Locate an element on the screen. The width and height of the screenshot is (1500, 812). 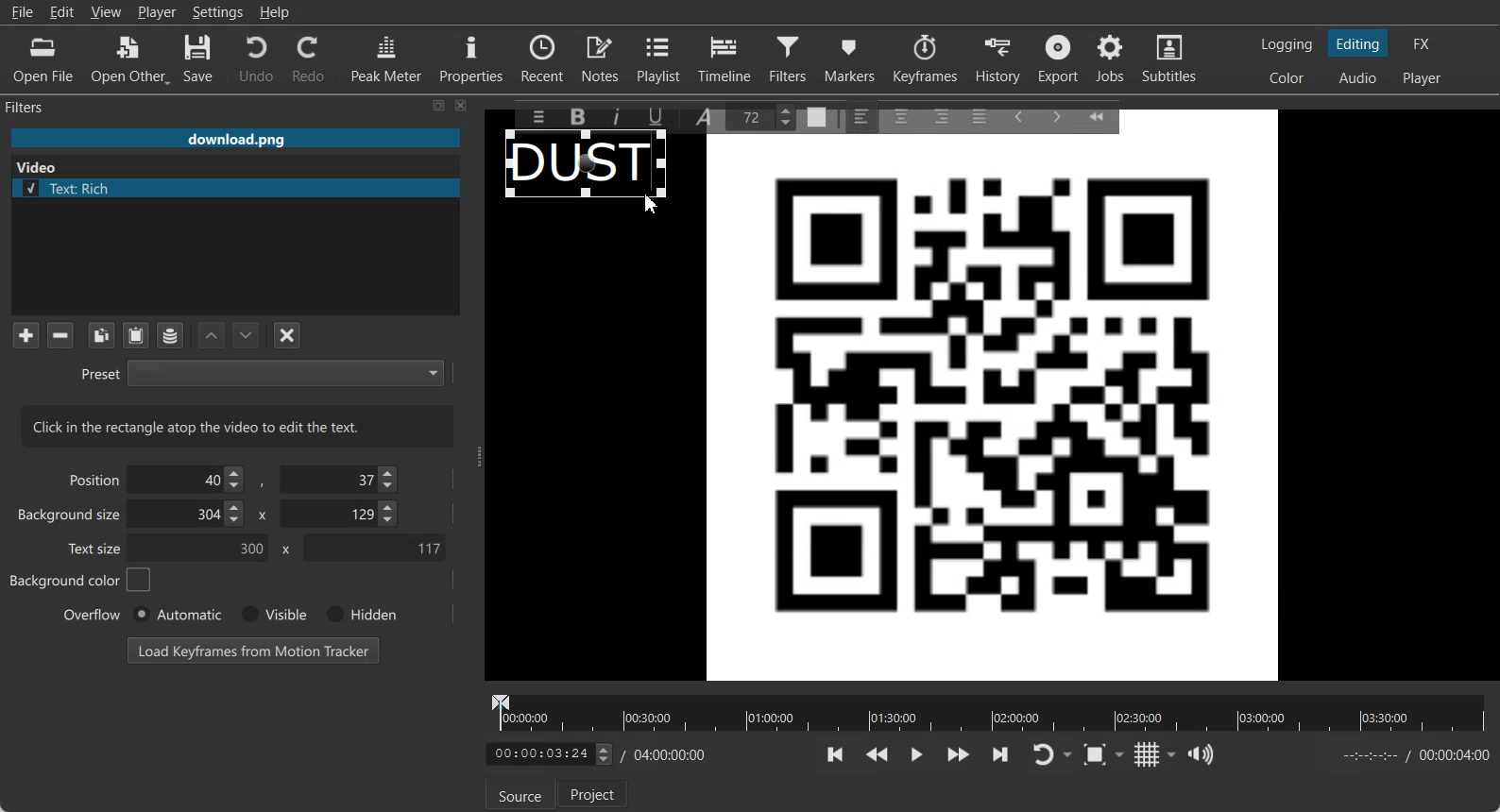
Position Y- Coordinate is located at coordinates (341, 479).